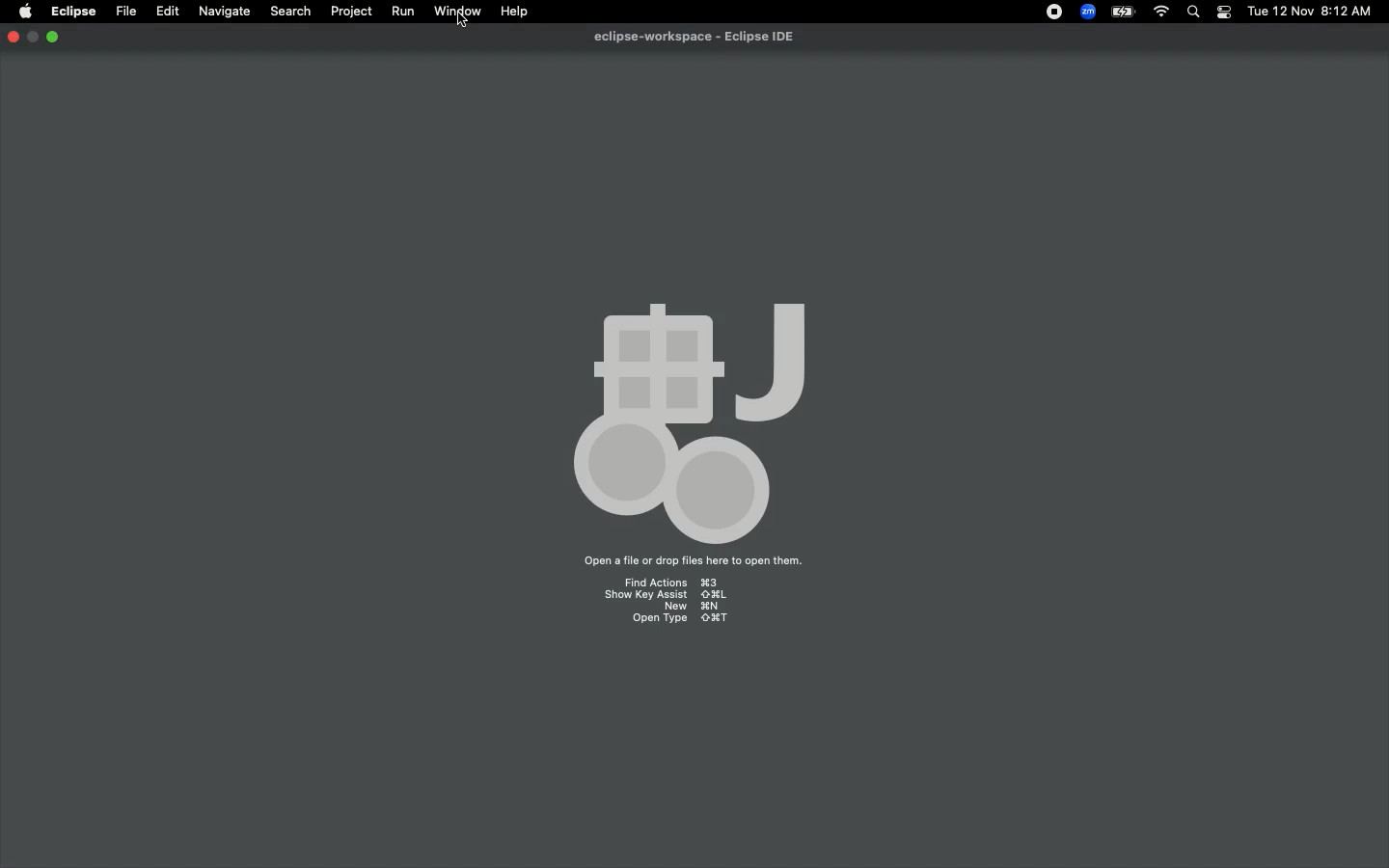 The height and width of the screenshot is (868, 1389). What do you see at coordinates (13, 39) in the screenshot?
I see `close` at bounding box center [13, 39].